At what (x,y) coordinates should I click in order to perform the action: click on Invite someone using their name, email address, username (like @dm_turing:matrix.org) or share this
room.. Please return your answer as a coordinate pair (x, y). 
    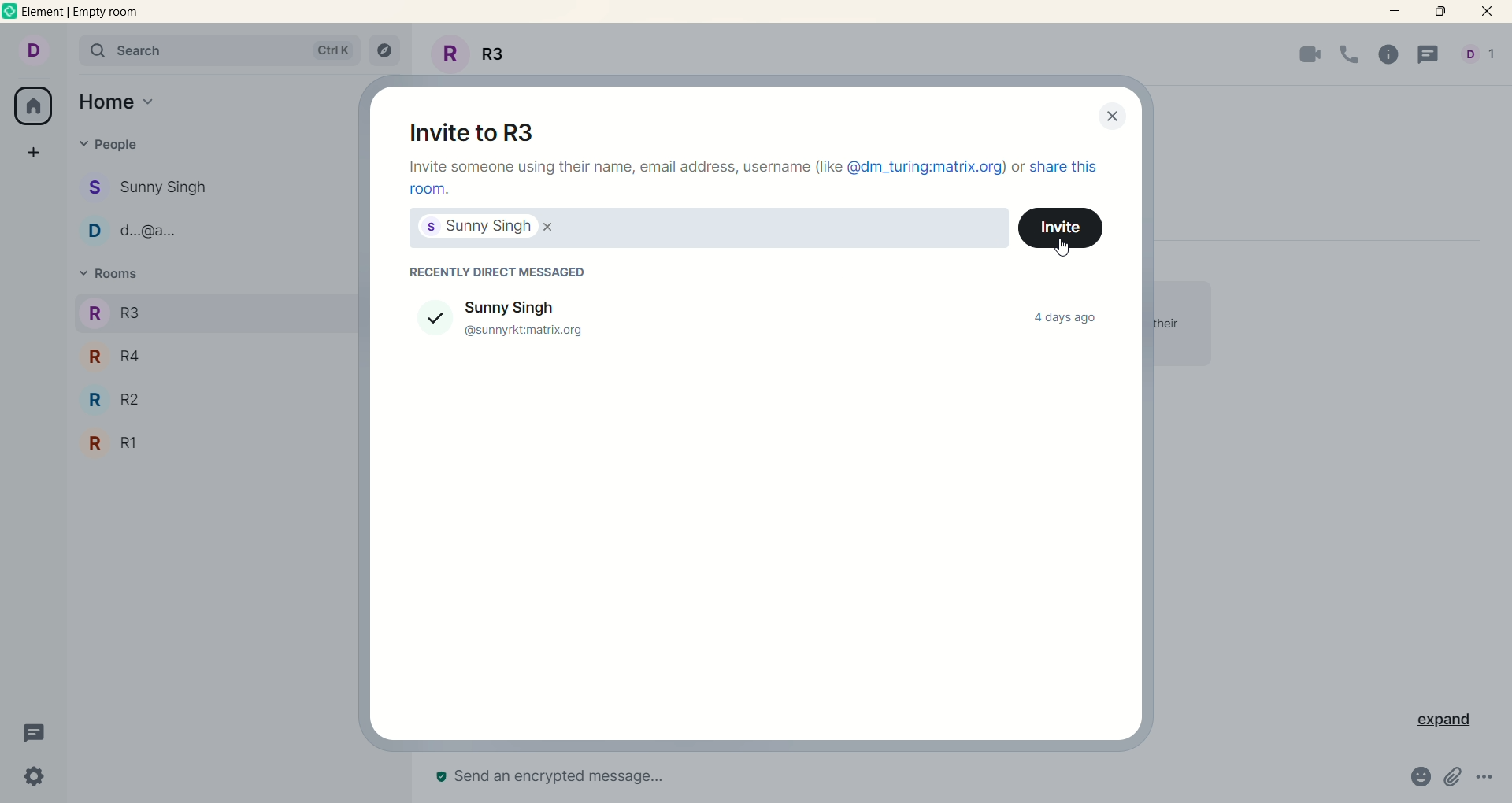
    Looking at the image, I should click on (753, 179).